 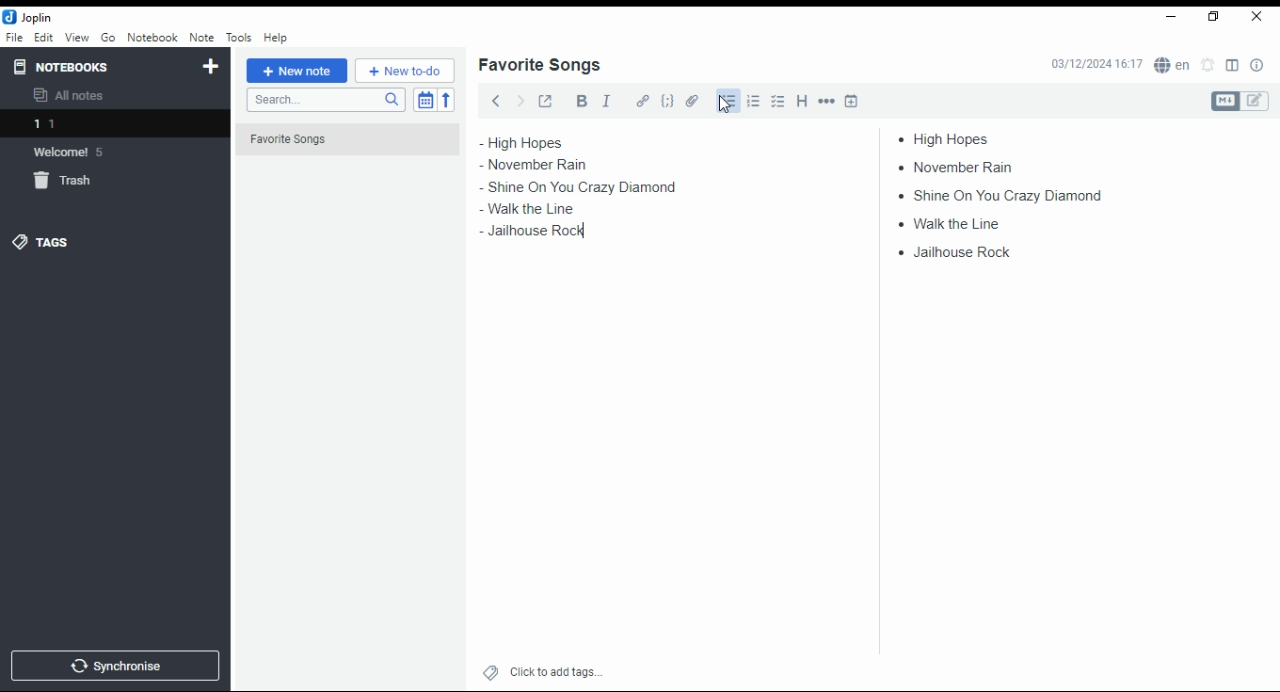 I want to click on 03/12/2024 16:16, so click(x=1096, y=64).